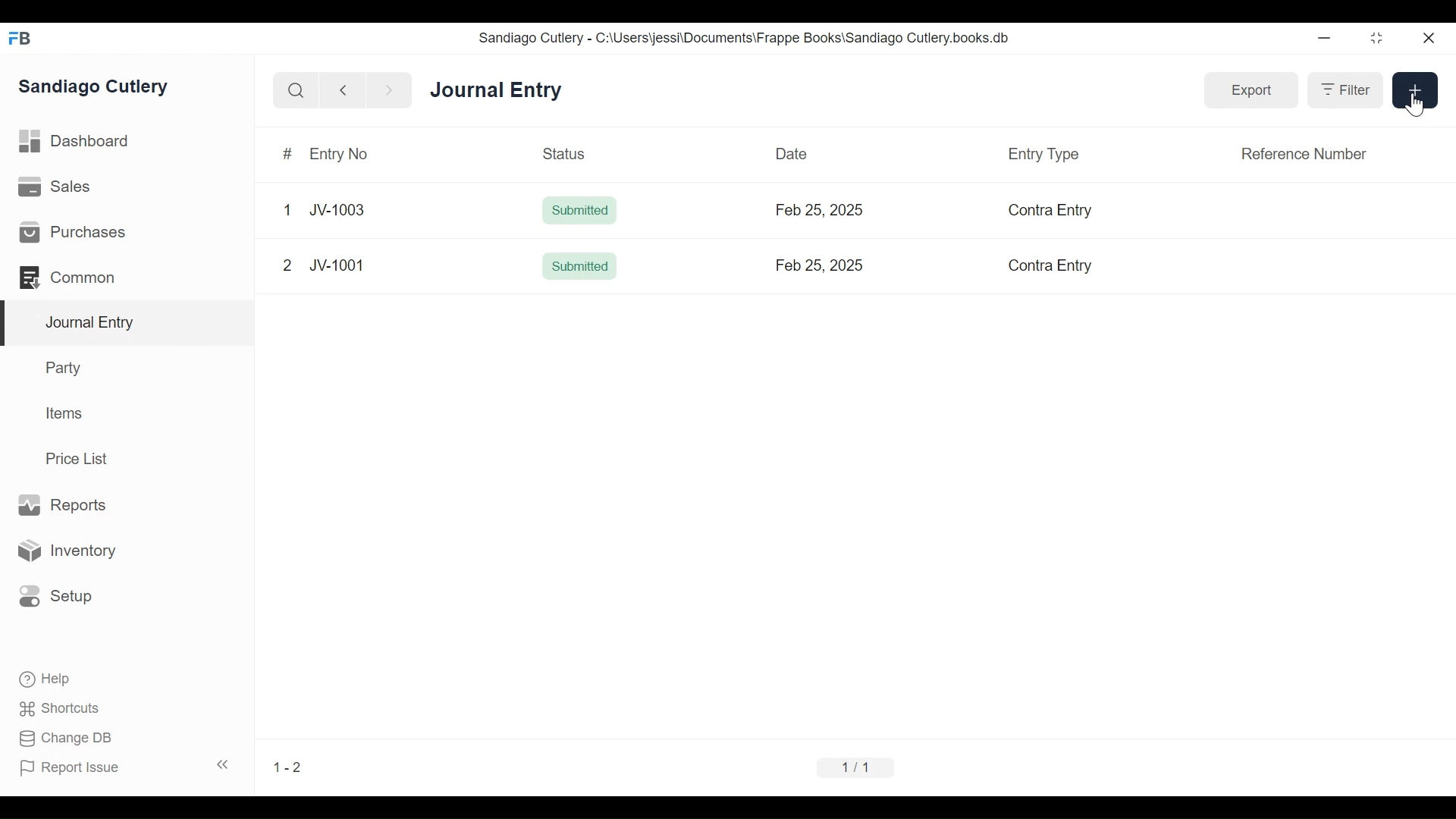  What do you see at coordinates (65, 550) in the screenshot?
I see `Inventory` at bounding box center [65, 550].